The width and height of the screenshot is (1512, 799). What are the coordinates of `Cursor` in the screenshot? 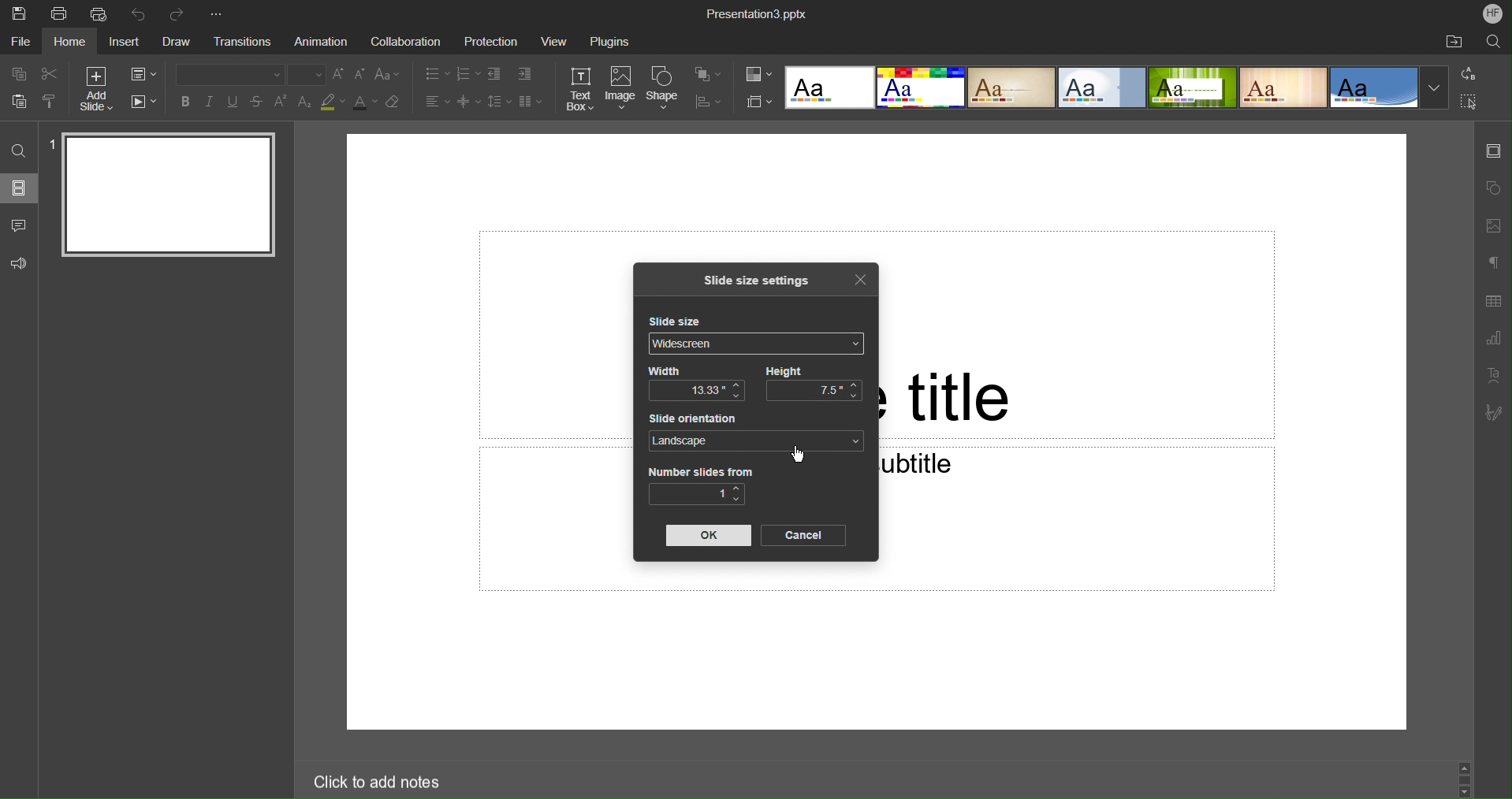 It's located at (799, 455).